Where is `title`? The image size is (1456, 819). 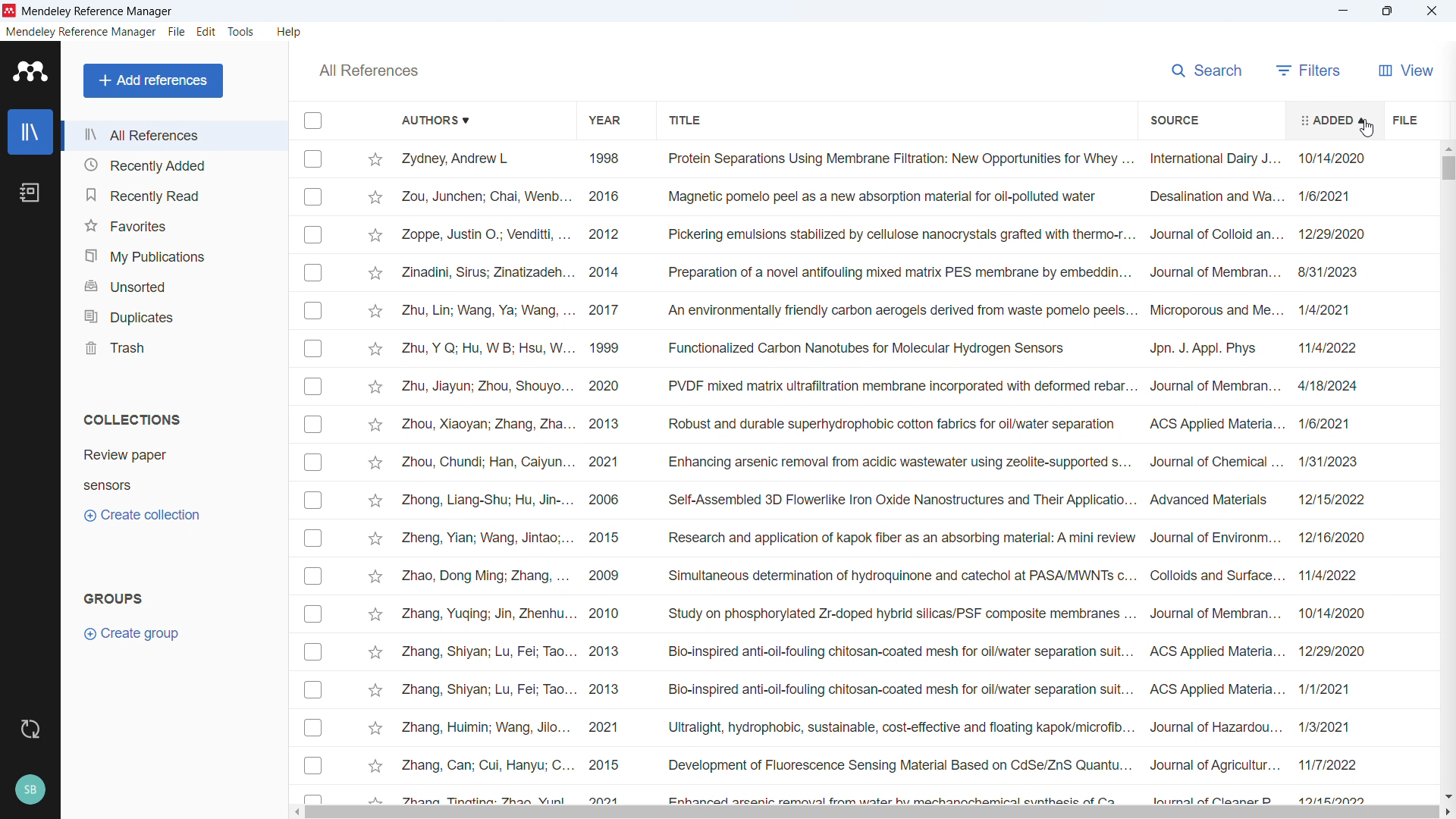
title is located at coordinates (99, 11).